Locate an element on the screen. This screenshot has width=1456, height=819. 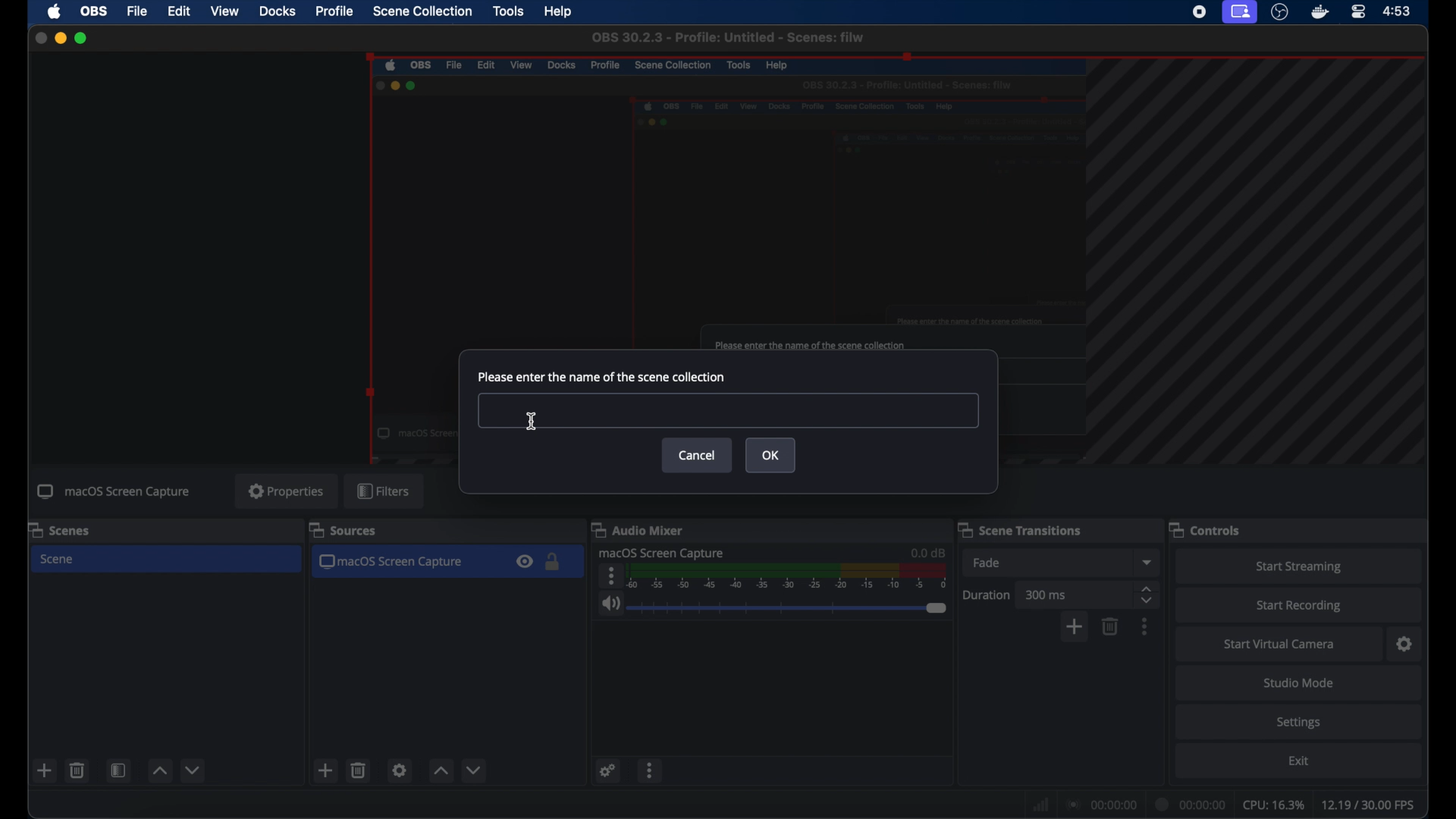
please enter the name of the scene collection is located at coordinates (602, 377).